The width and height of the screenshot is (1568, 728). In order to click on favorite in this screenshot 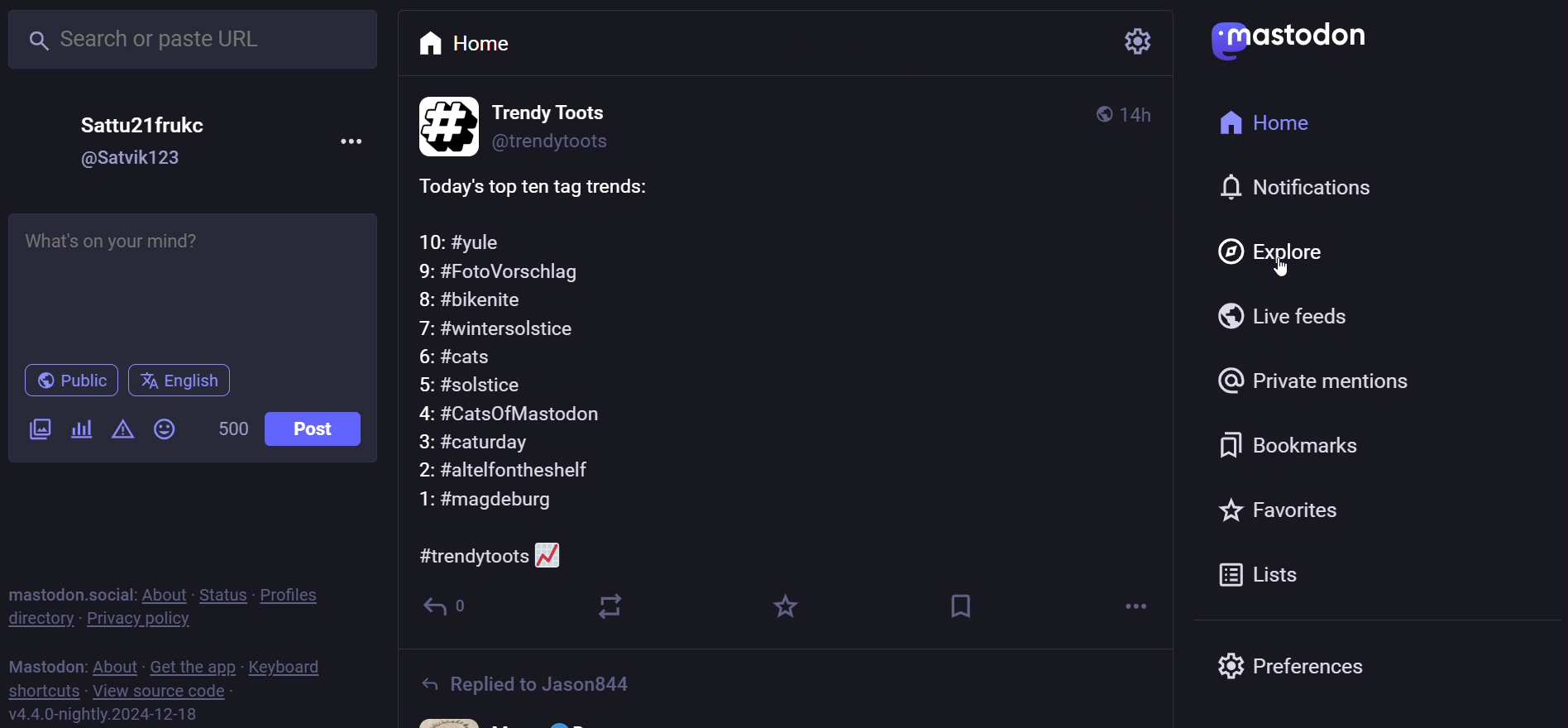, I will do `click(1291, 510)`.